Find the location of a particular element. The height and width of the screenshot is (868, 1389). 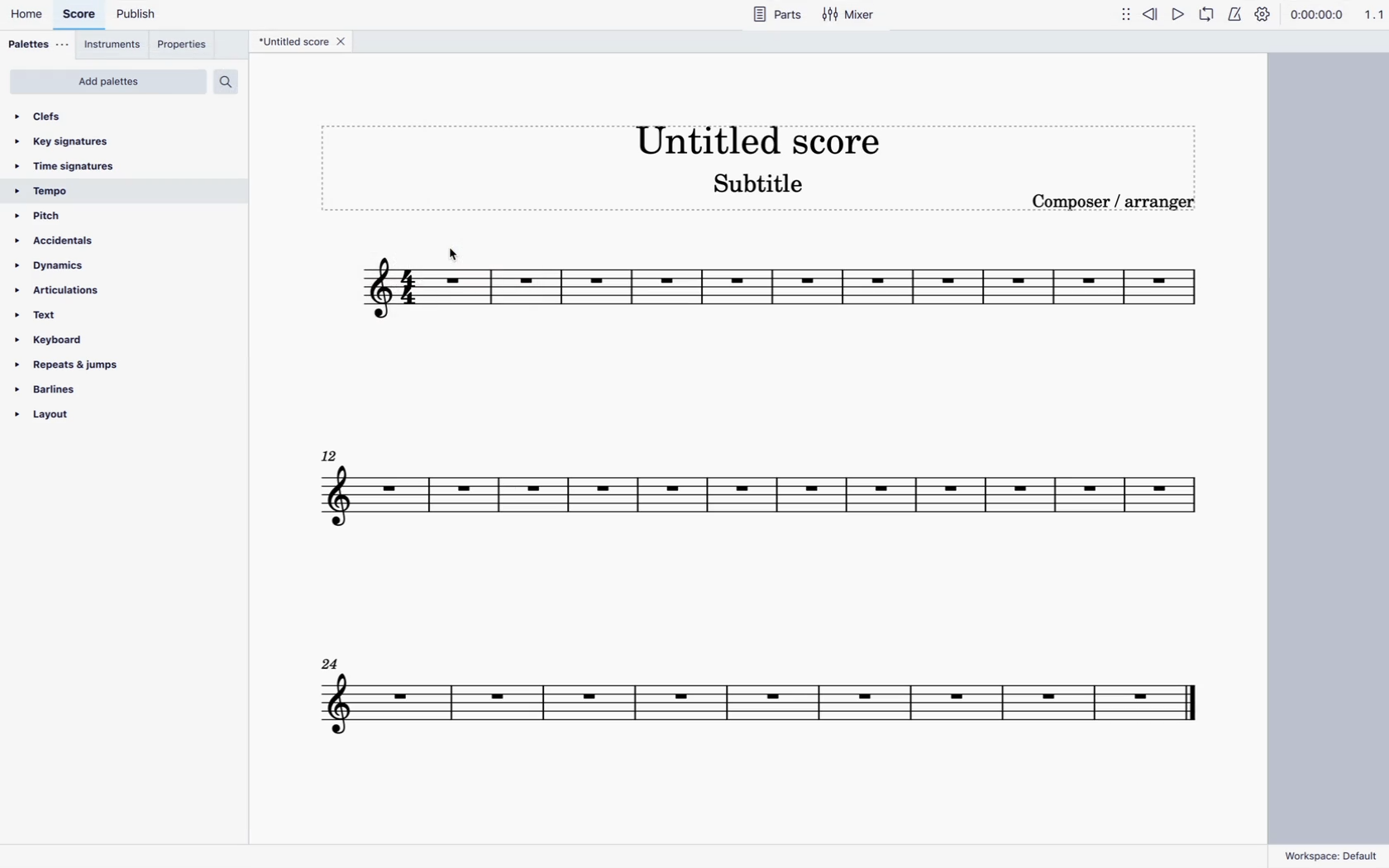

keyboard is located at coordinates (57, 340).